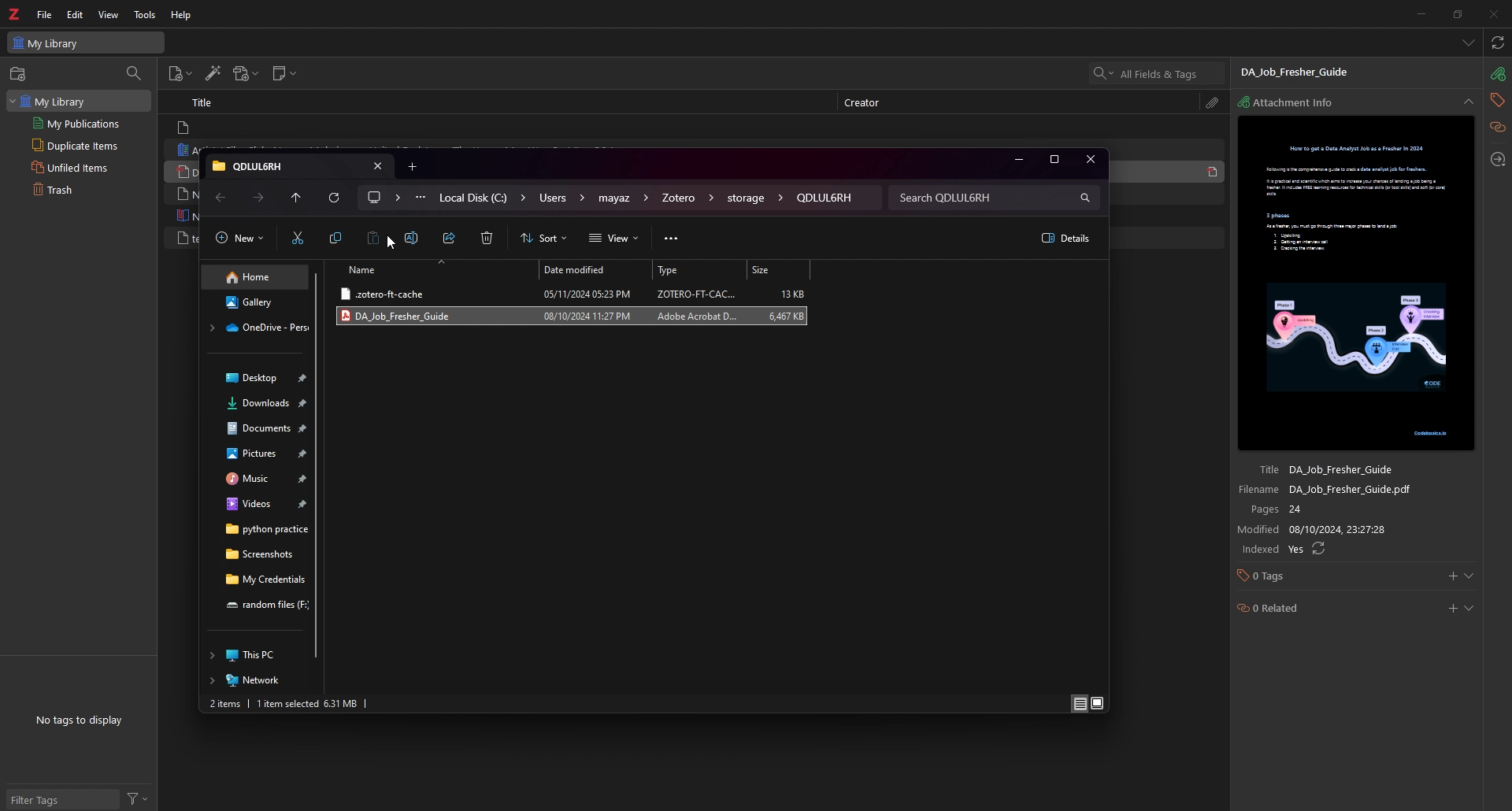 The width and height of the screenshot is (1512, 811). What do you see at coordinates (1089, 158) in the screenshot?
I see `close` at bounding box center [1089, 158].